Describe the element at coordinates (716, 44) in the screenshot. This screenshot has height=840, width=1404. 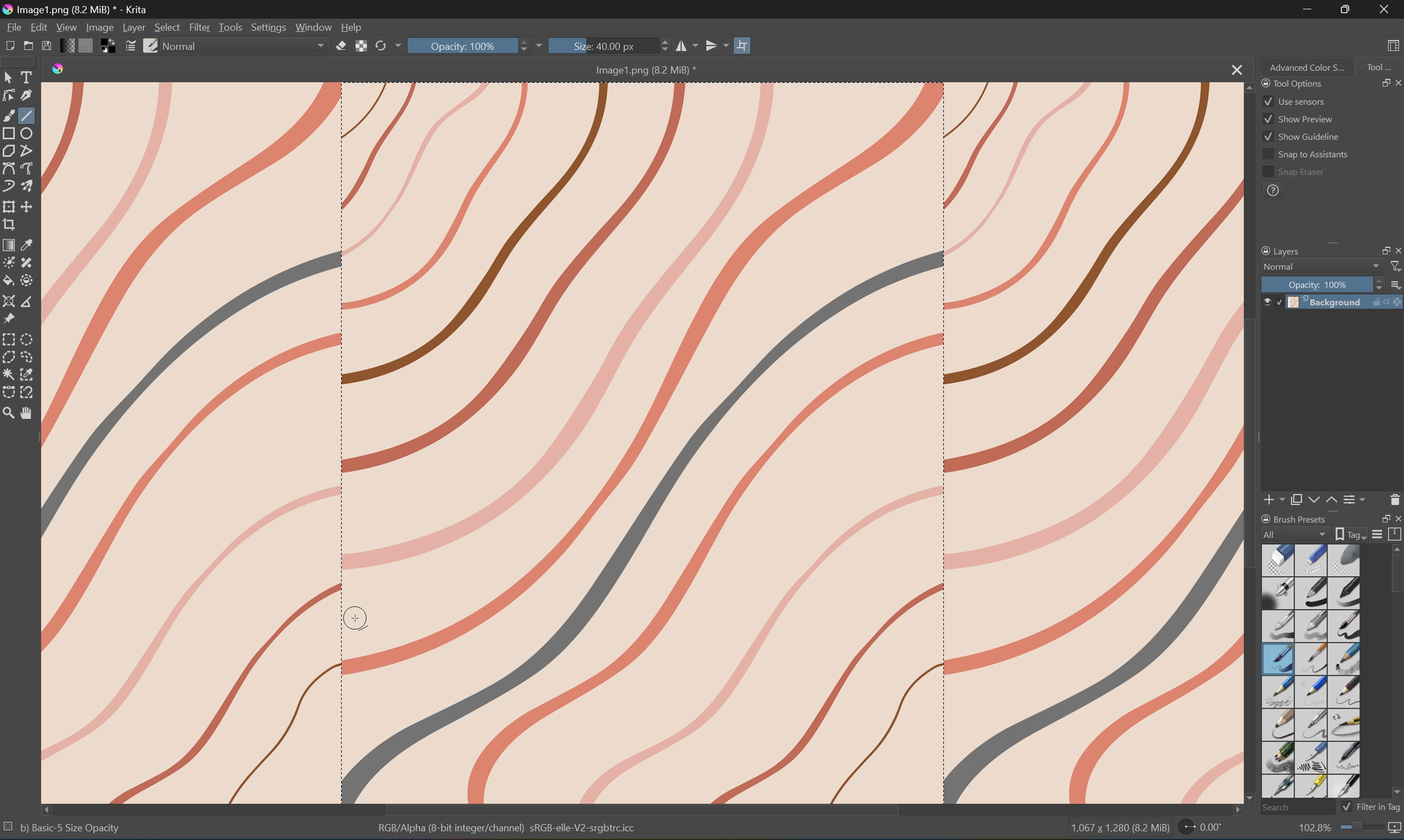
I see `Vertical Mirror tool` at that location.